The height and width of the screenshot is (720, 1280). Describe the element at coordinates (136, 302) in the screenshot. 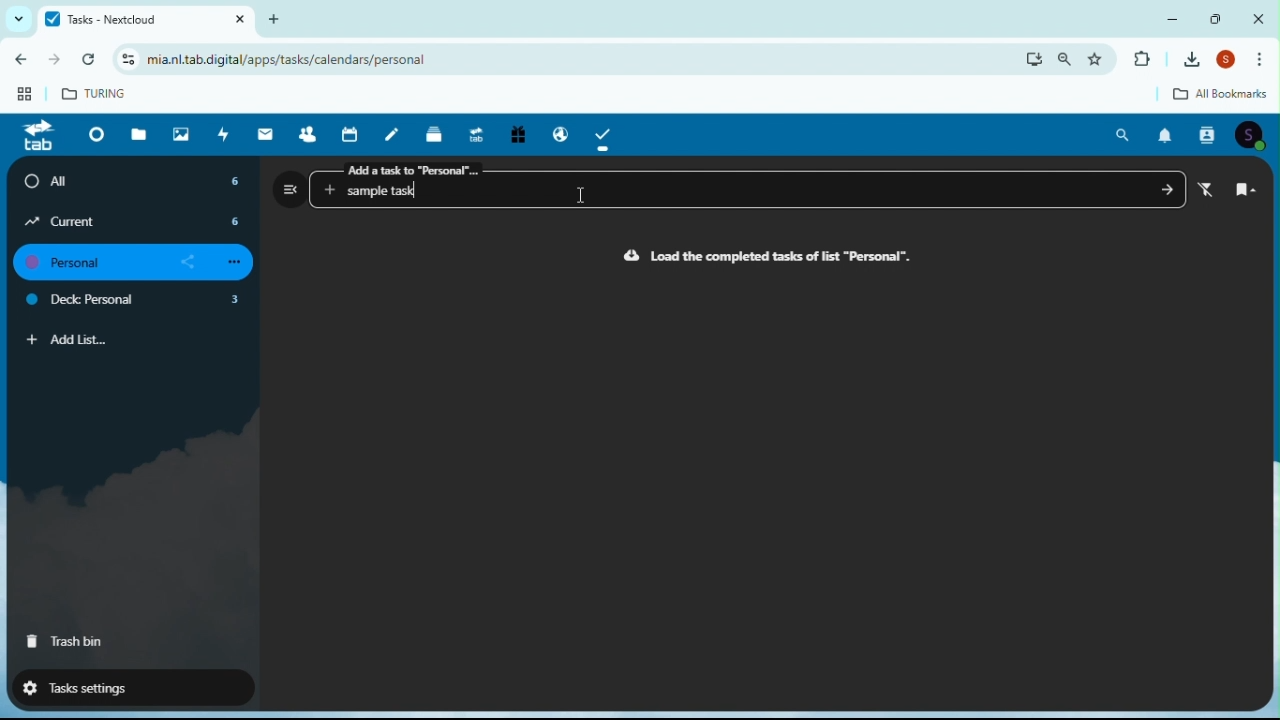

I see `Deck personal` at that location.